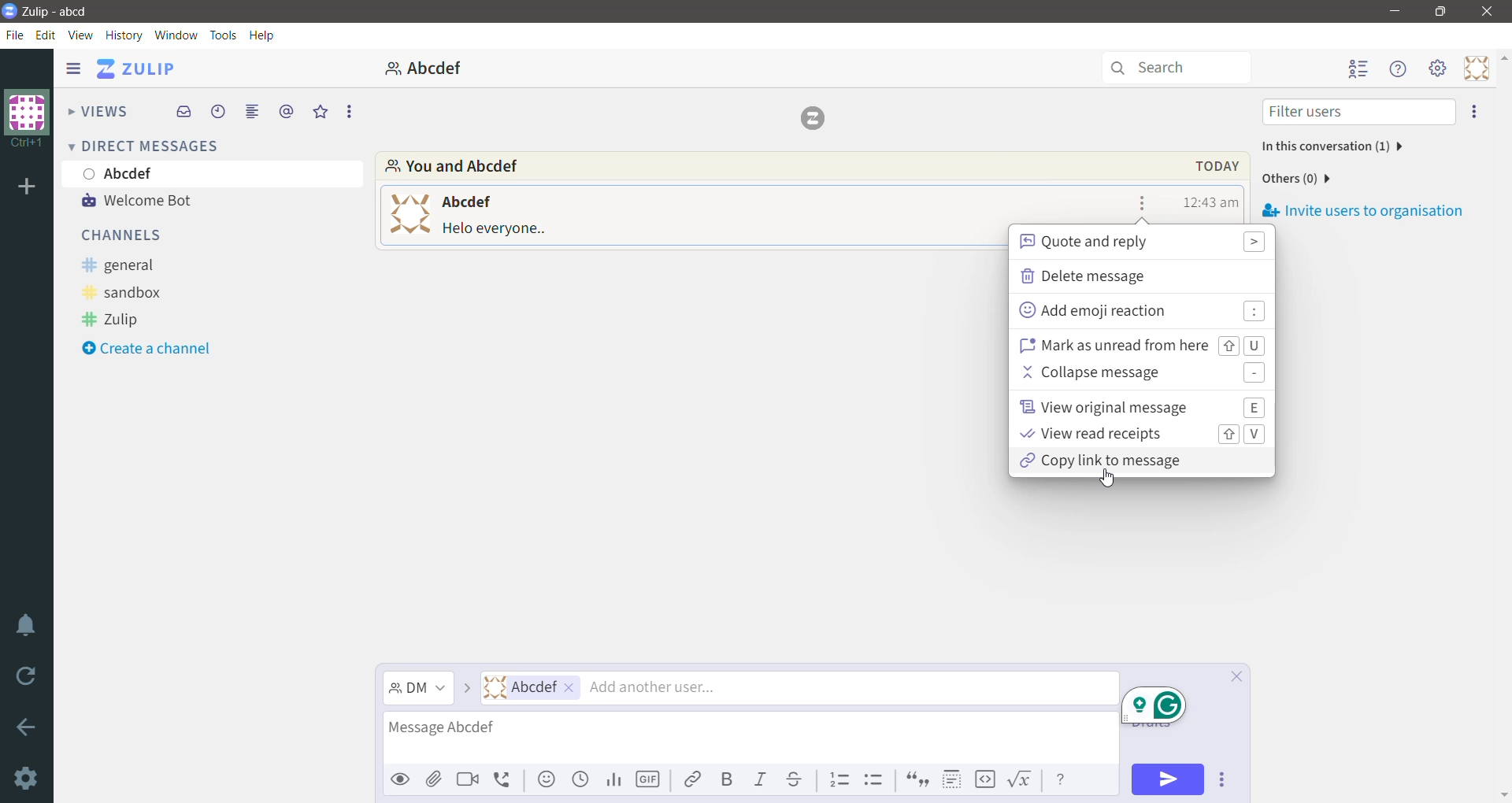 The height and width of the screenshot is (803, 1512). I want to click on Quote, so click(918, 779).